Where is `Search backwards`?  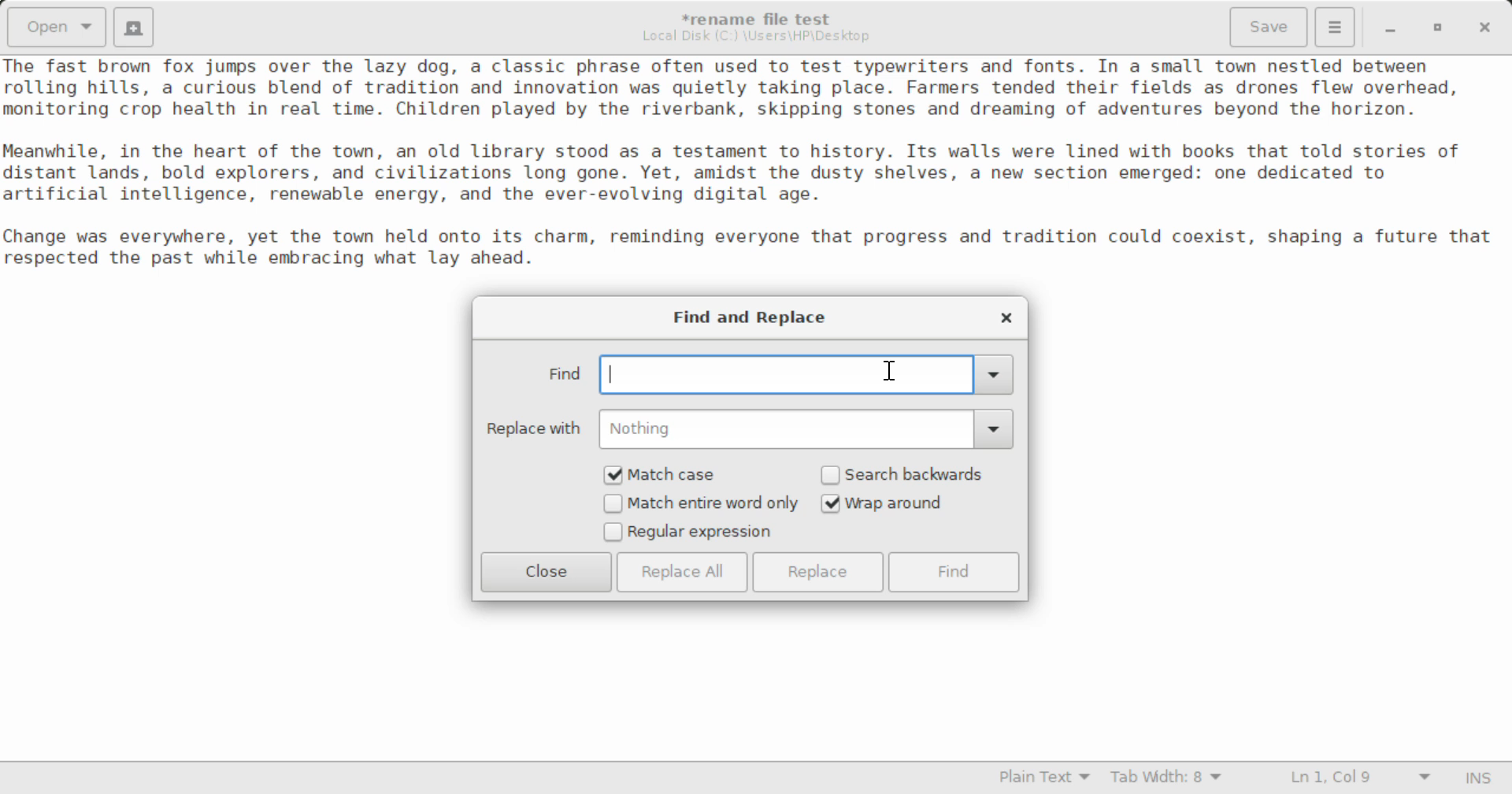 Search backwards is located at coordinates (907, 474).